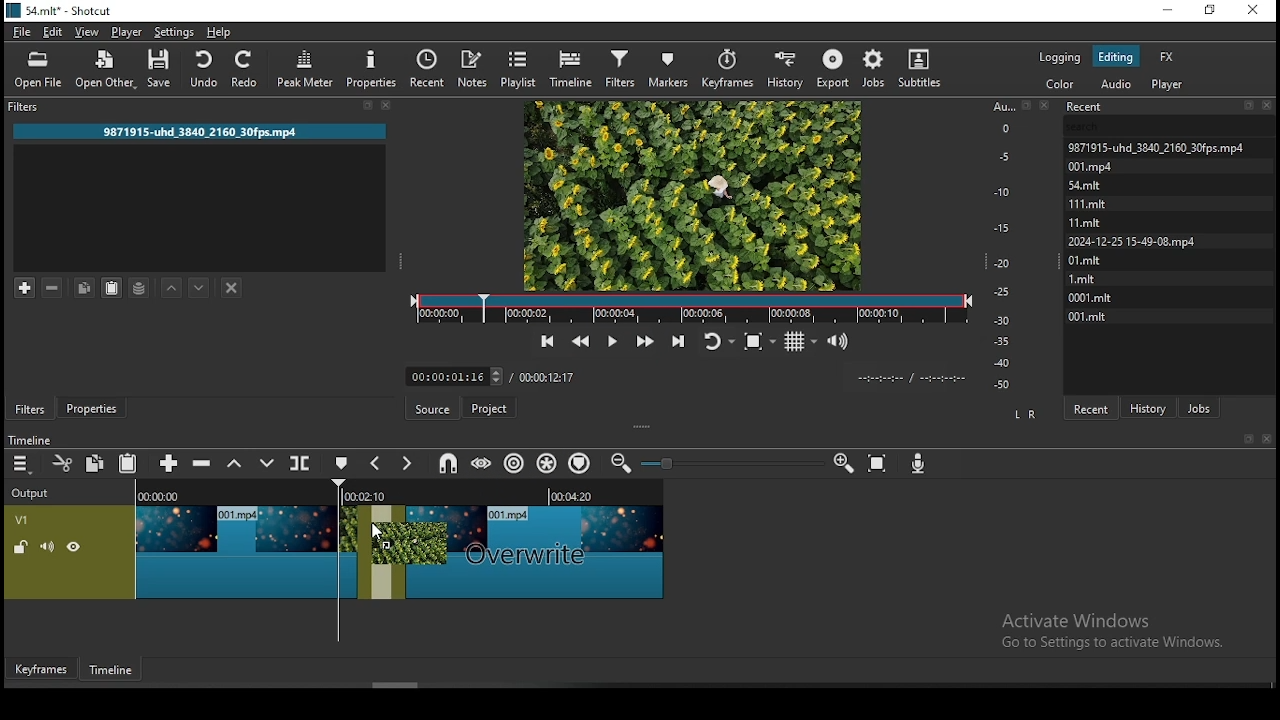 The width and height of the screenshot is (1280, 720). Describe the element at coordinates (233, 289) in the screenshot. I see `deselect filter` at that location.